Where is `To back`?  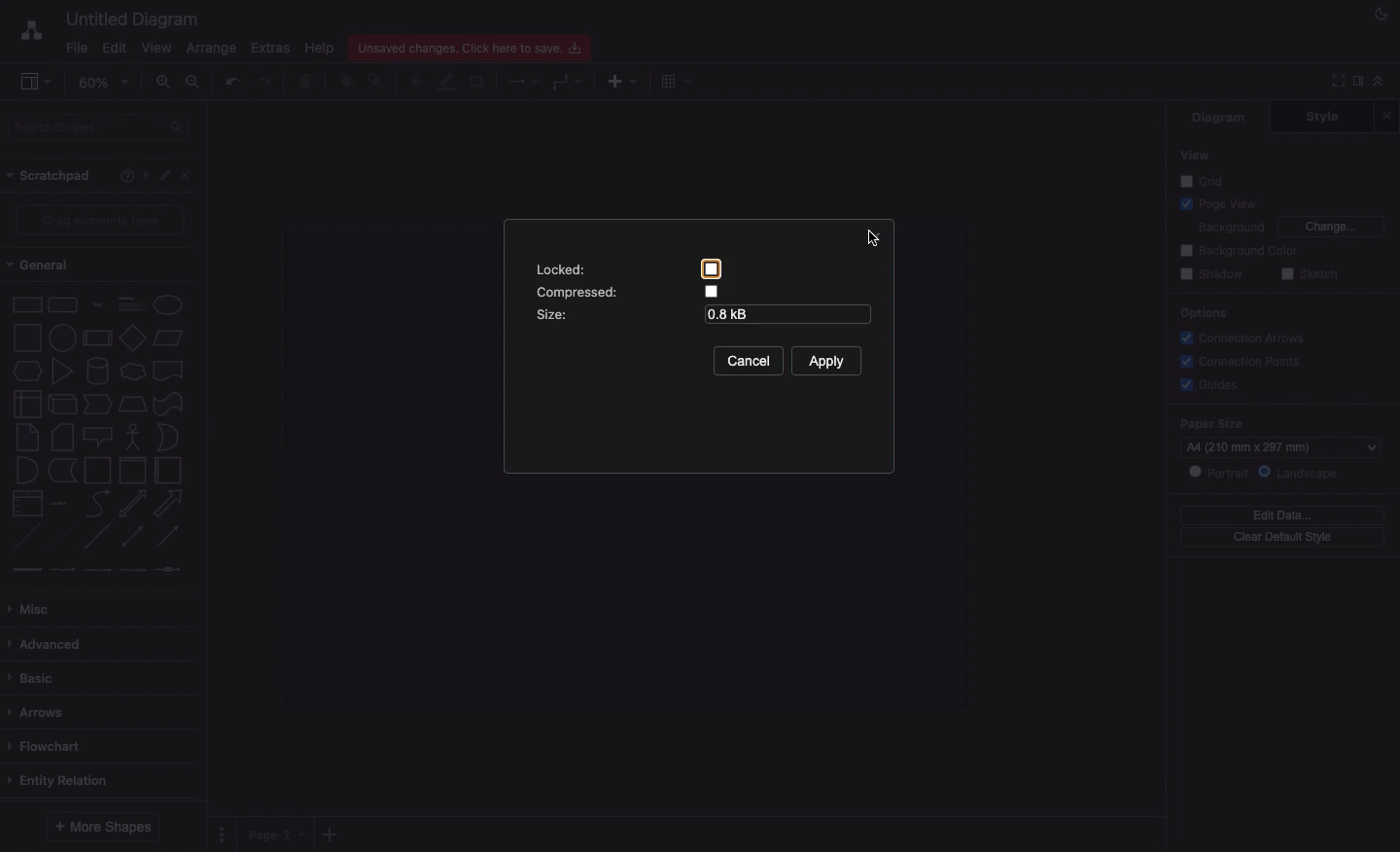 To back is located at coordinates (378, 81).